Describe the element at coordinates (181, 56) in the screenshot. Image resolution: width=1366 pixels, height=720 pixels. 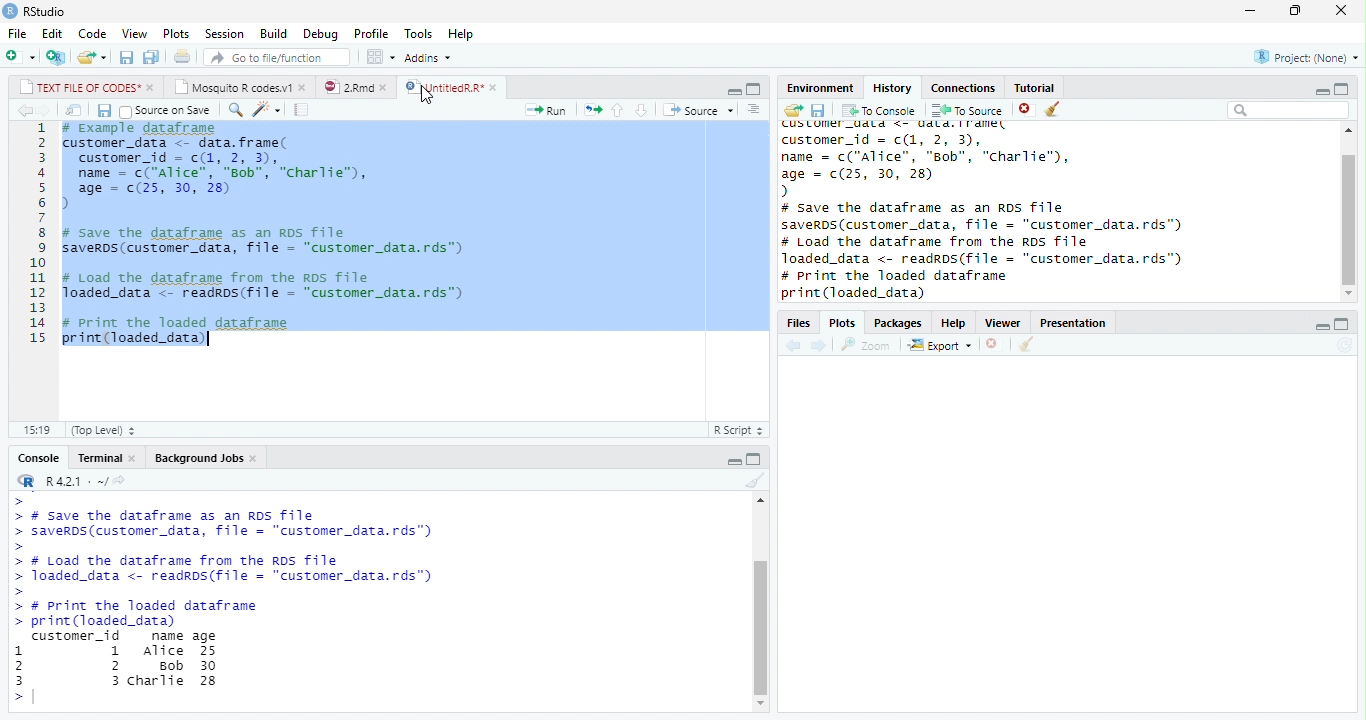
I see `print` at that location.